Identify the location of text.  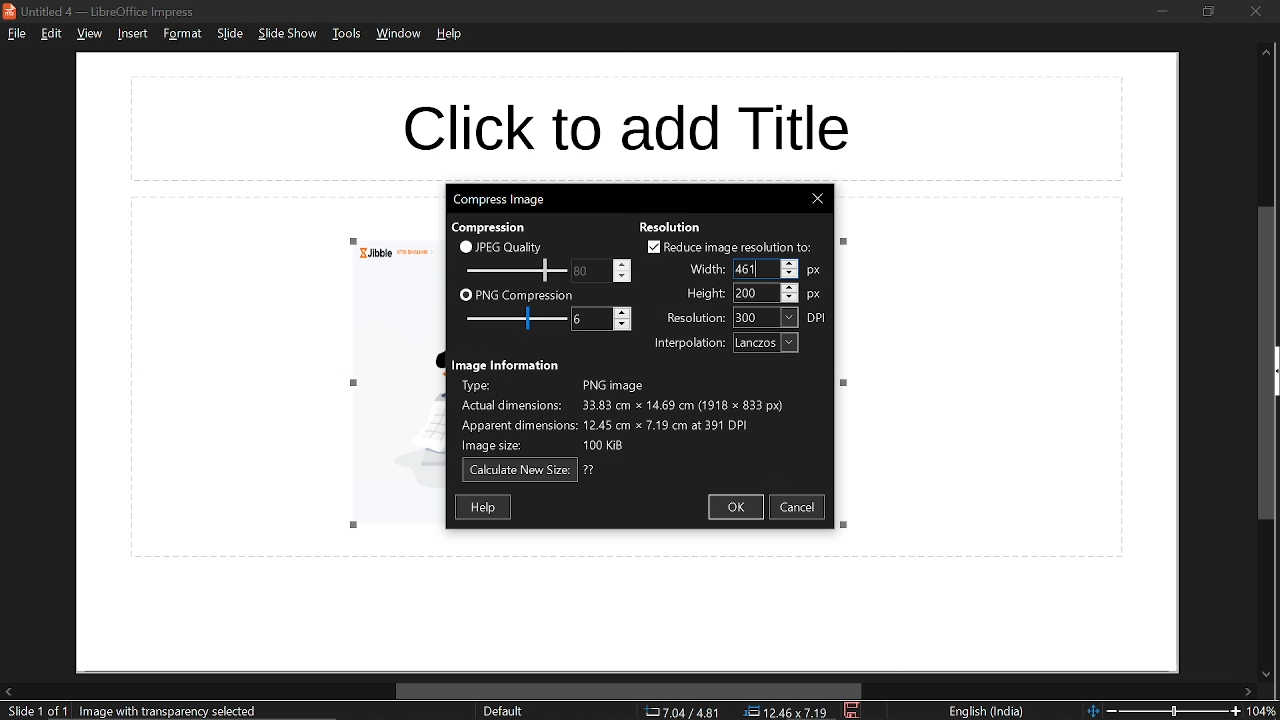
(706, 294).